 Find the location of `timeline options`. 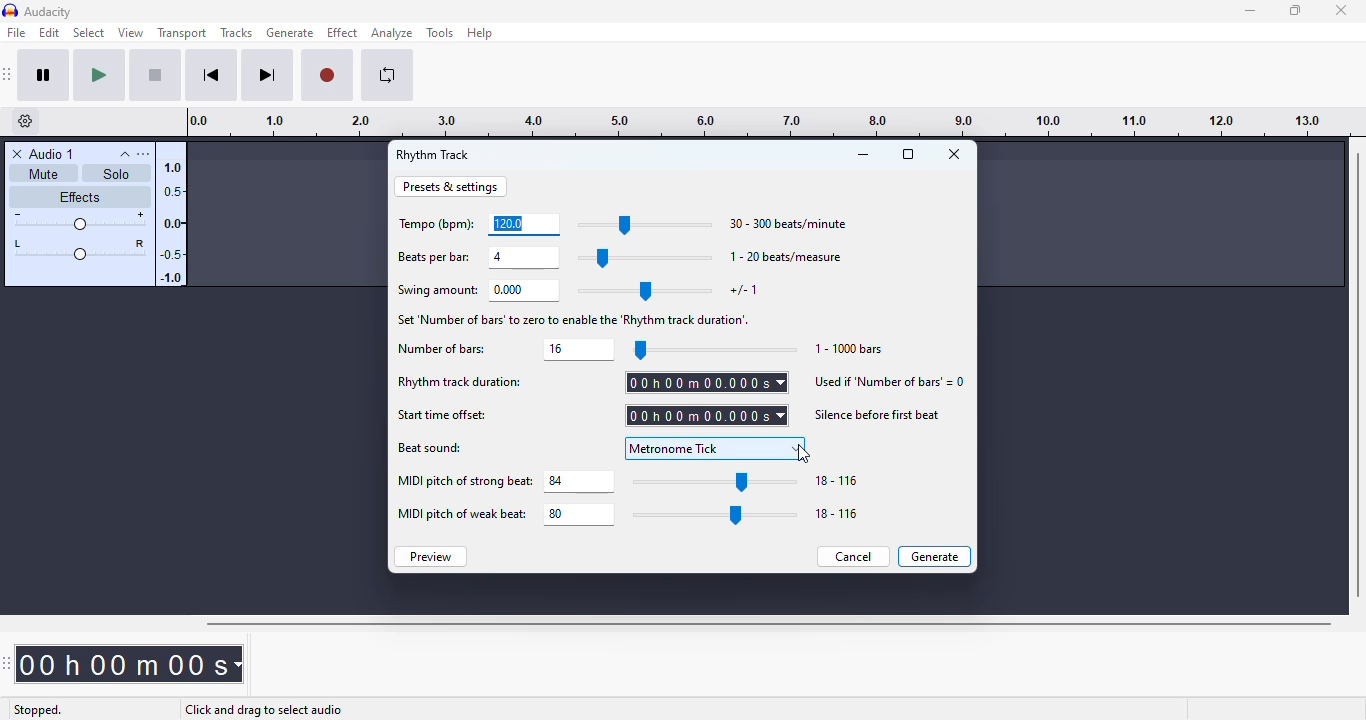

timeline options is located at coordinates (26, 121).